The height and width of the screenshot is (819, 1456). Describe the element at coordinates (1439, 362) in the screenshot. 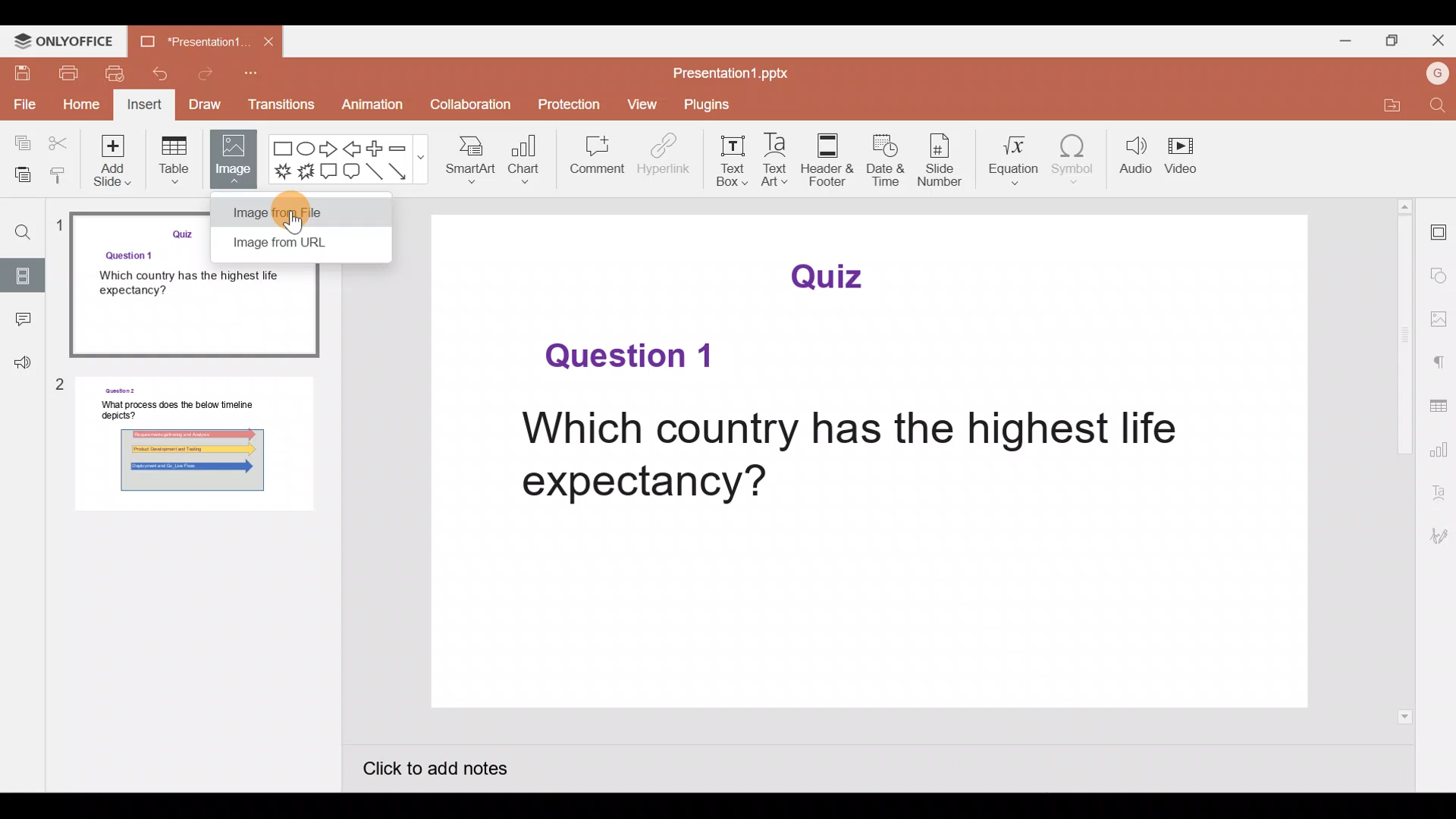

I see `Paragraph settings` at that location.